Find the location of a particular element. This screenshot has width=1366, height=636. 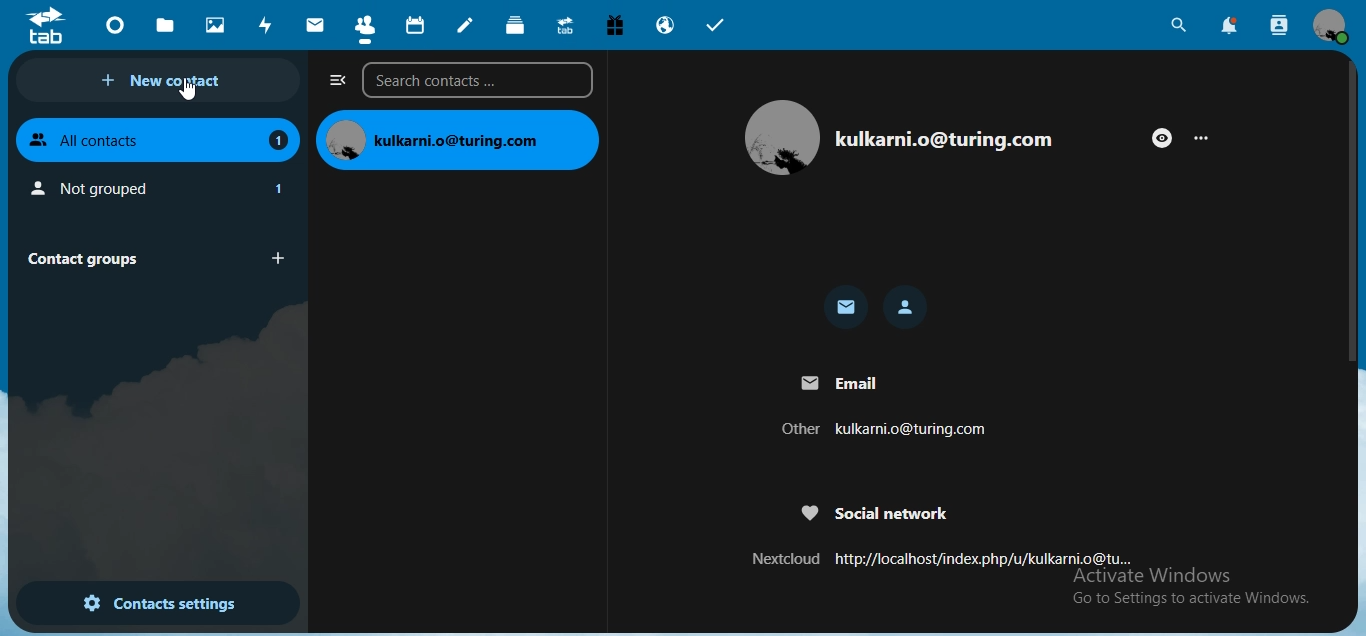

upgrade is located at coordinates (563, 24).